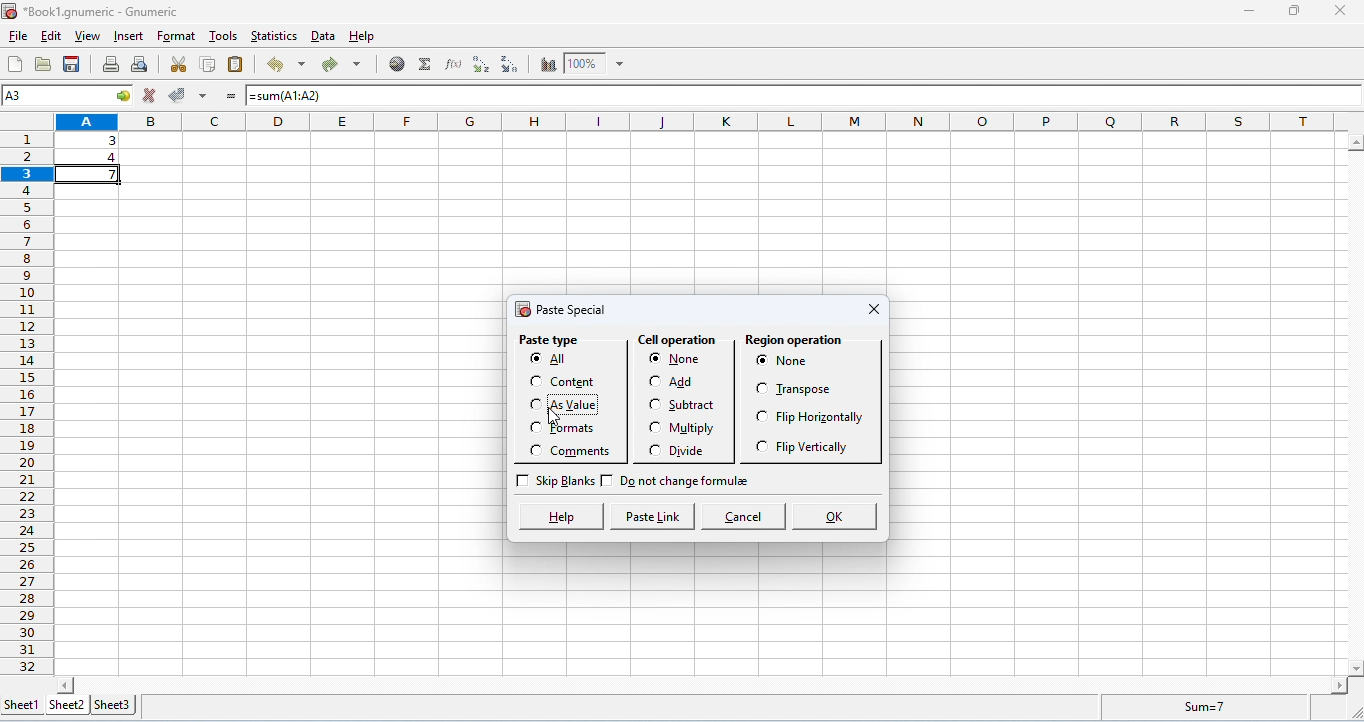 The image size is (1364, 722). What do you see at coordinates (94, 13) in the screenshot?
I see `Book1.gnumeric - Gnumeric` at bounding box center [94, 13].